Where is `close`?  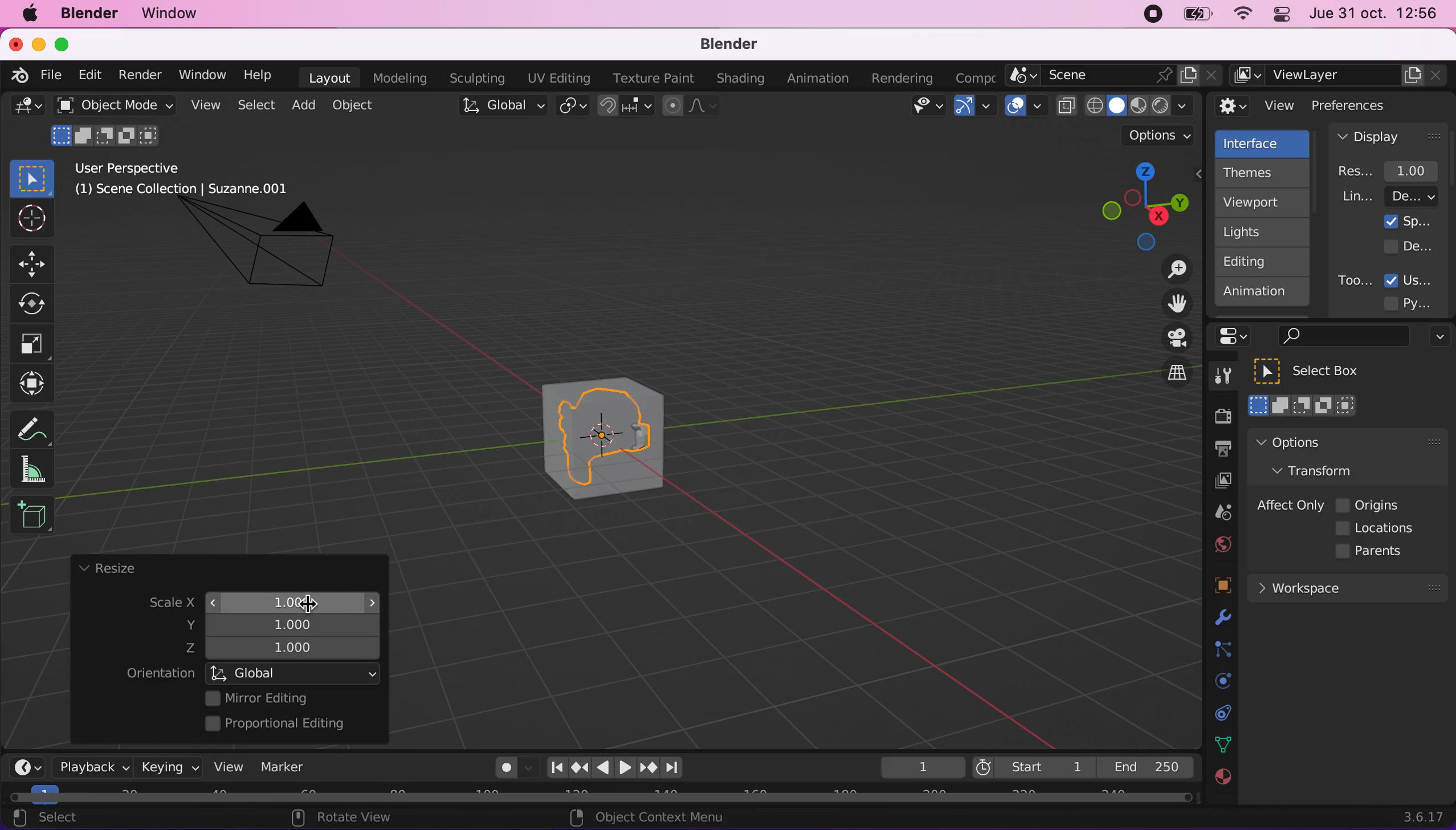 close is located at coordinates (15, 43).